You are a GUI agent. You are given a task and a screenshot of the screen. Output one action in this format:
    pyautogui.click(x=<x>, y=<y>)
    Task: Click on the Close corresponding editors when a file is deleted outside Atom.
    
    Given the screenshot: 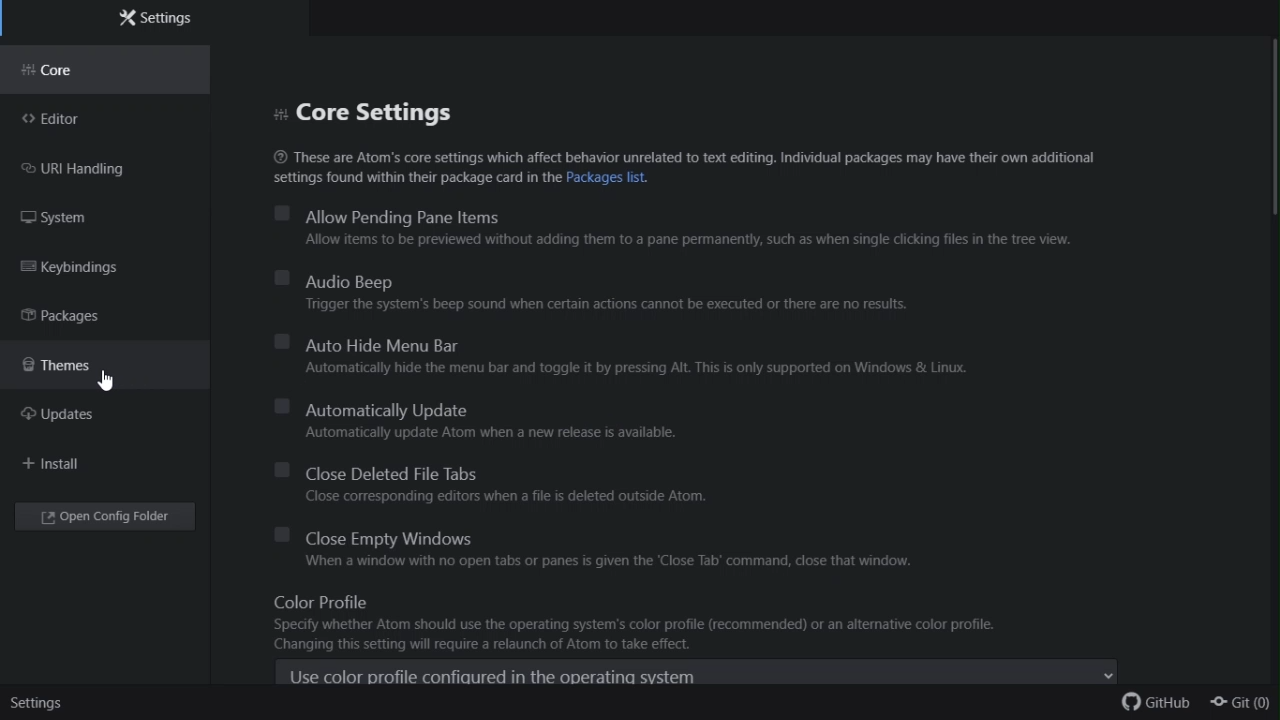 What is the action you would take?
    pyautogui.click(x=498, y=494)
    